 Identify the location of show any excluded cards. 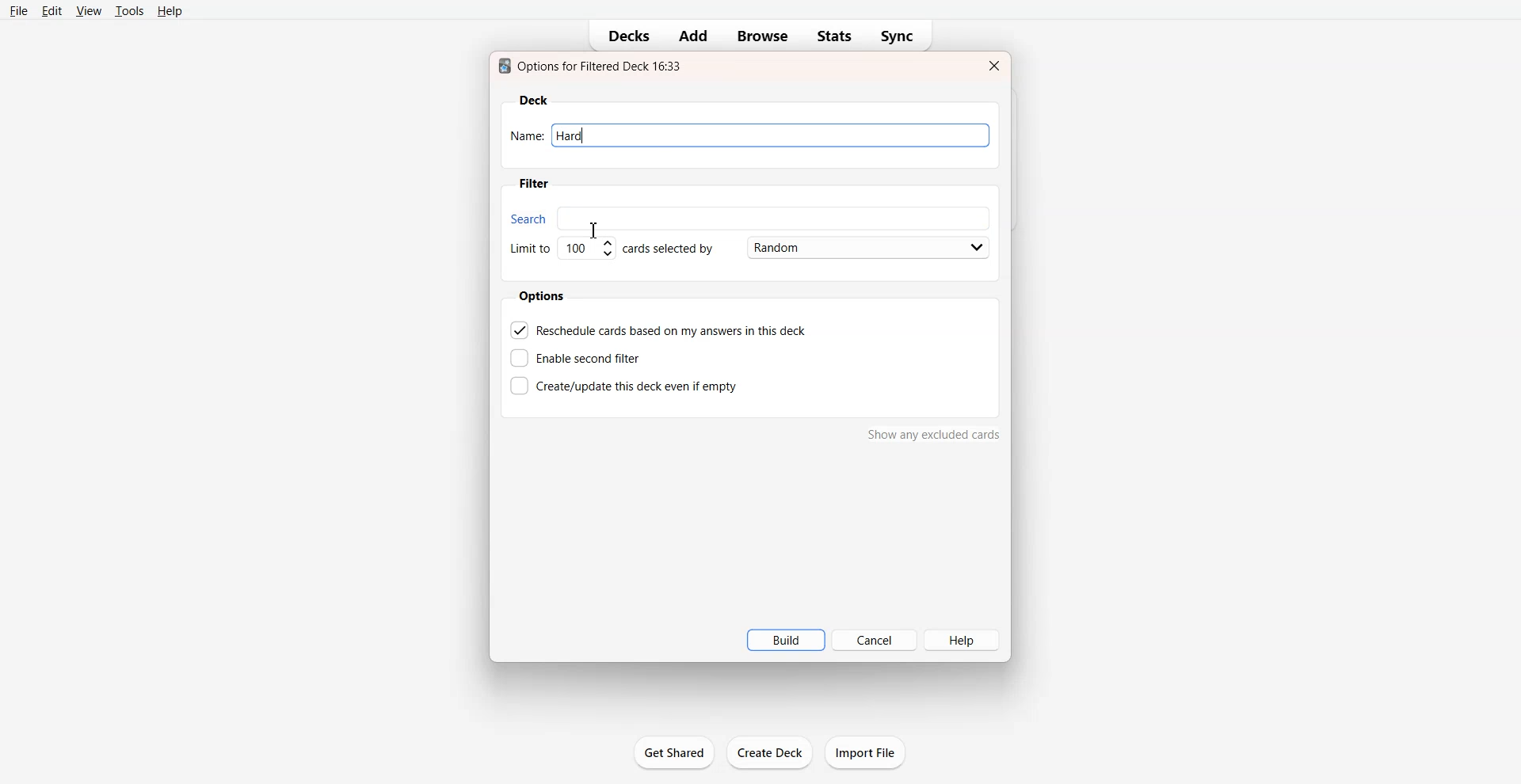
(934, 438).